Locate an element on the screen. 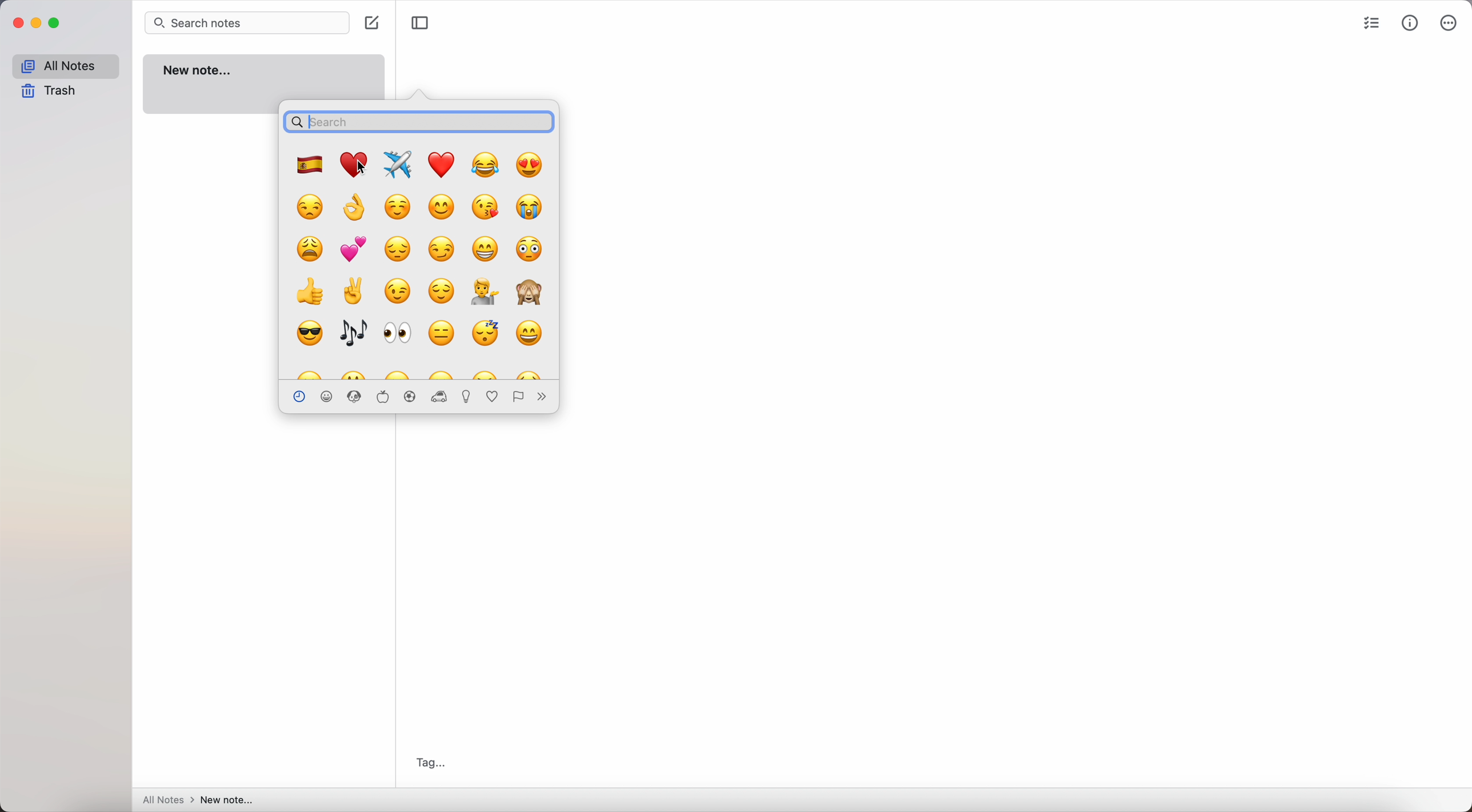 Image resolution: width=1472 pixels, height=812 pixels. toggle sidebar is located at coordinates (419, 22).